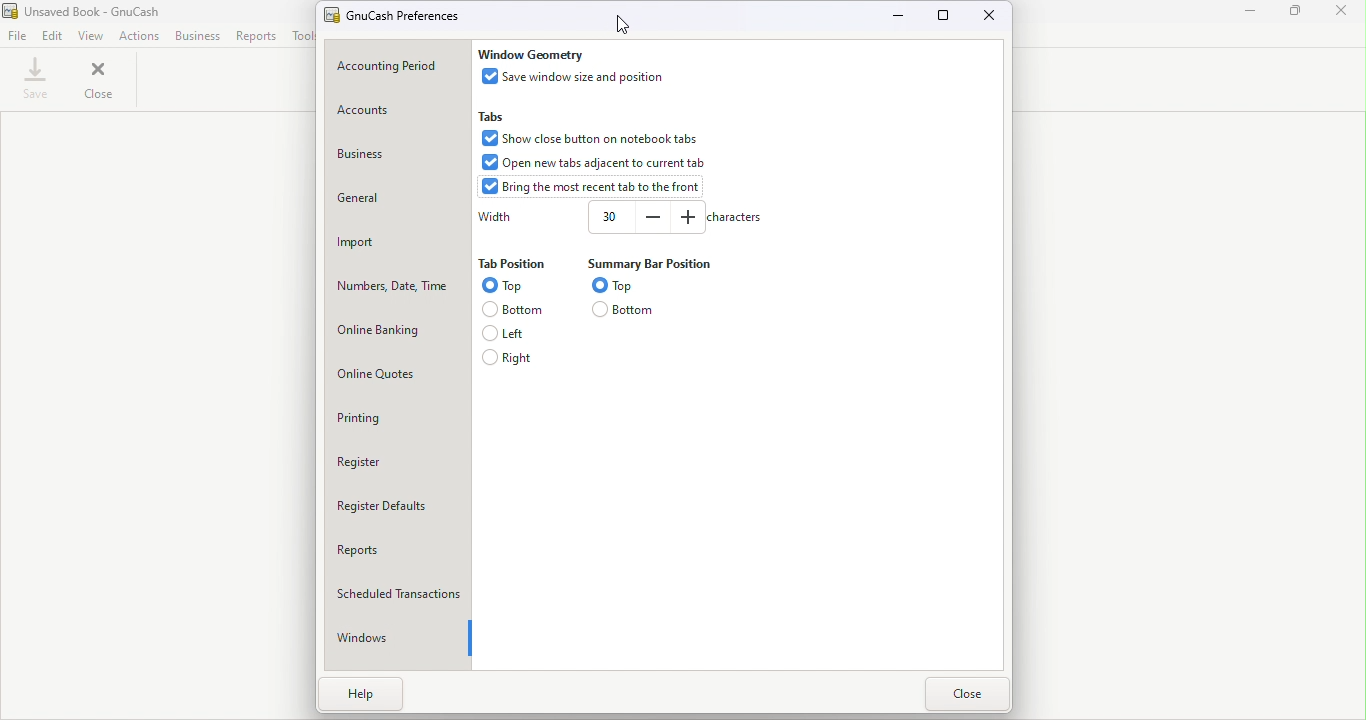 Image resolution: width=1366 pixels, height=720 pixels. Describe the element at coordinates (395, 67) in the screenshot. I see `Accounting period` at that location.